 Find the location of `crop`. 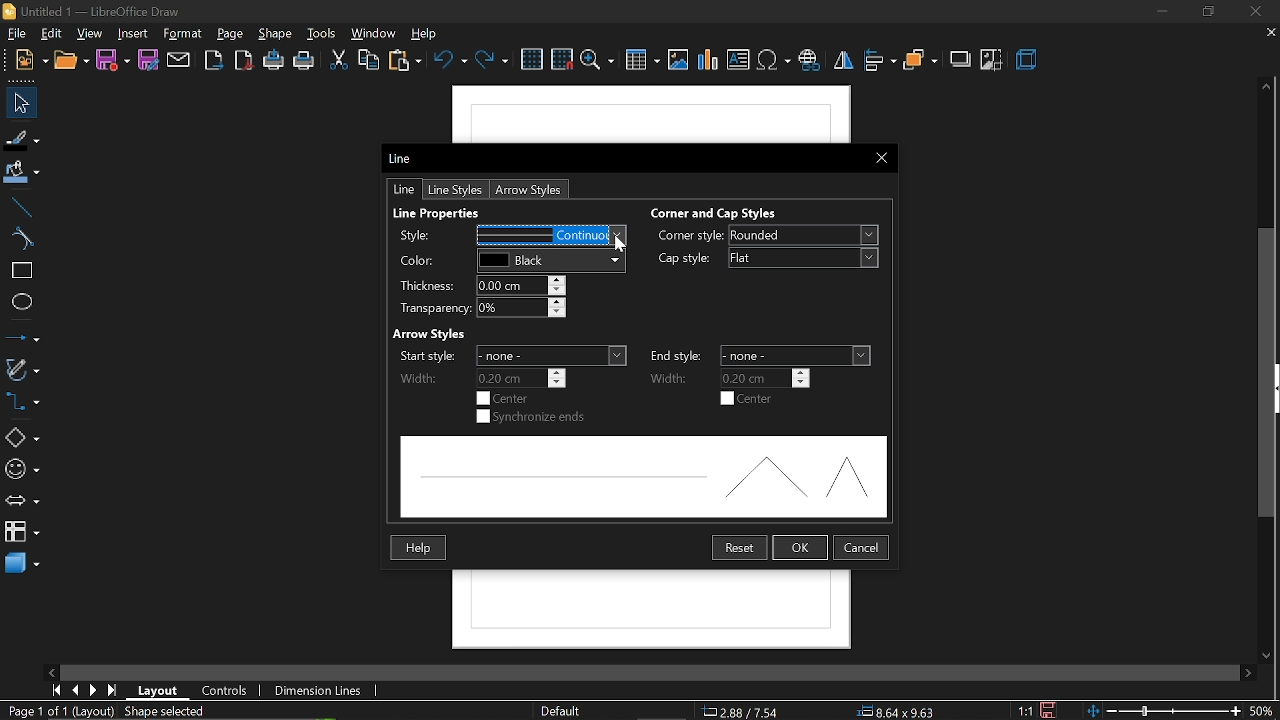

crop is located at coordinates (991, 59).